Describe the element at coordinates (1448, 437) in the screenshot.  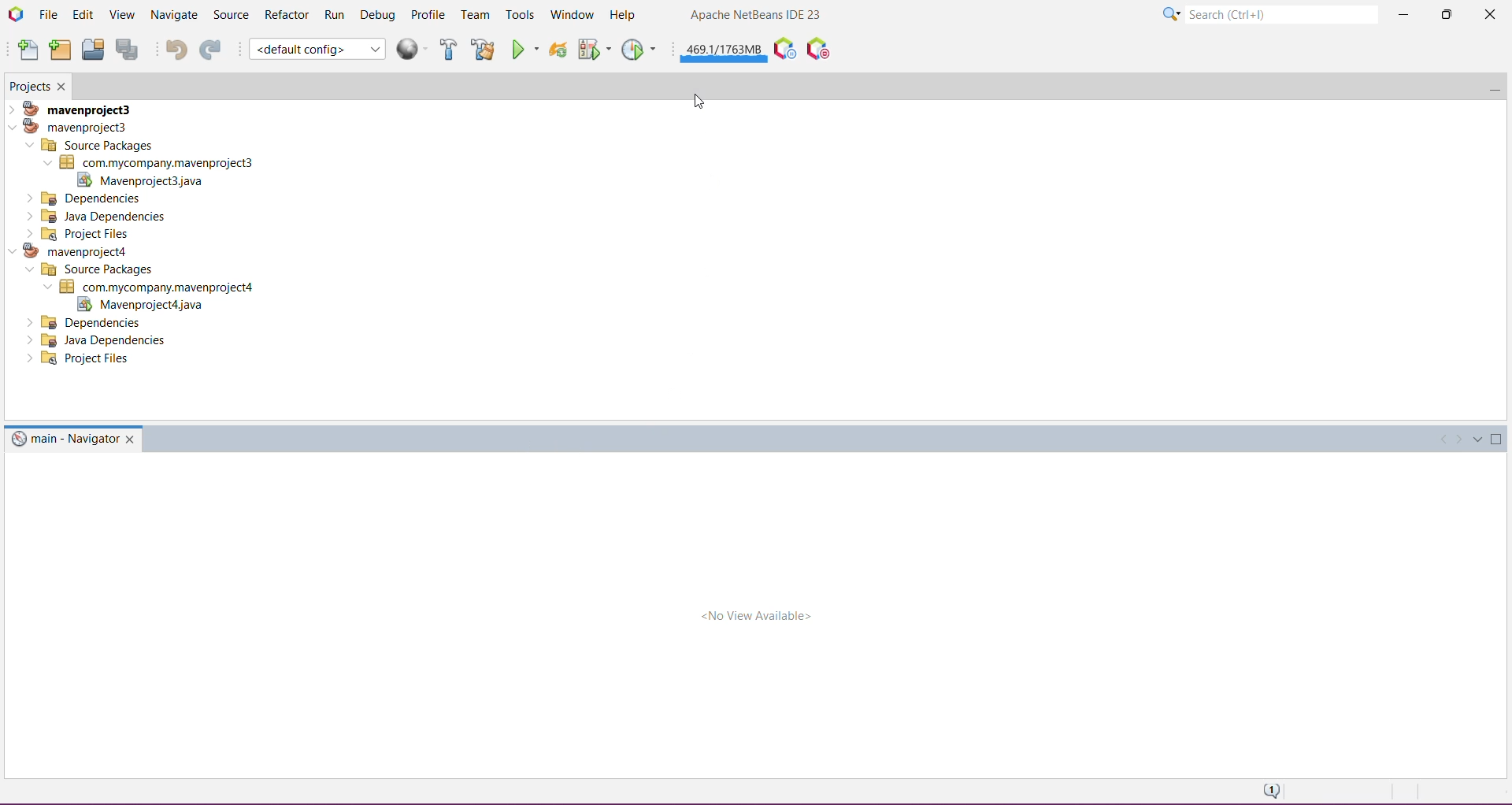
I see `left or right scroll` at that location.